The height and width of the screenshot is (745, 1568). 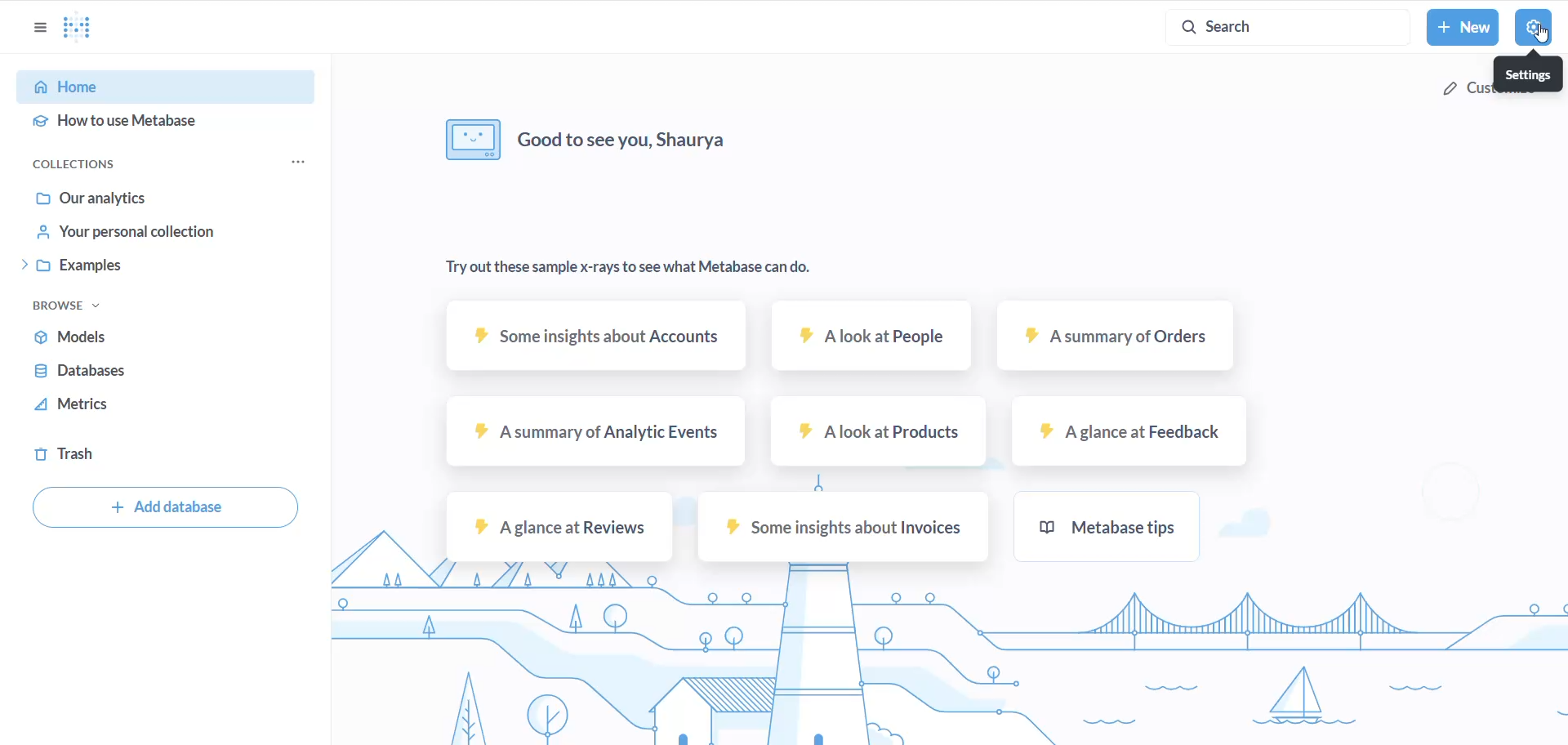 What do you see at coordinates (86, 29) in the screenshot?
I see `LOGO` at bounding box center [86, 29].